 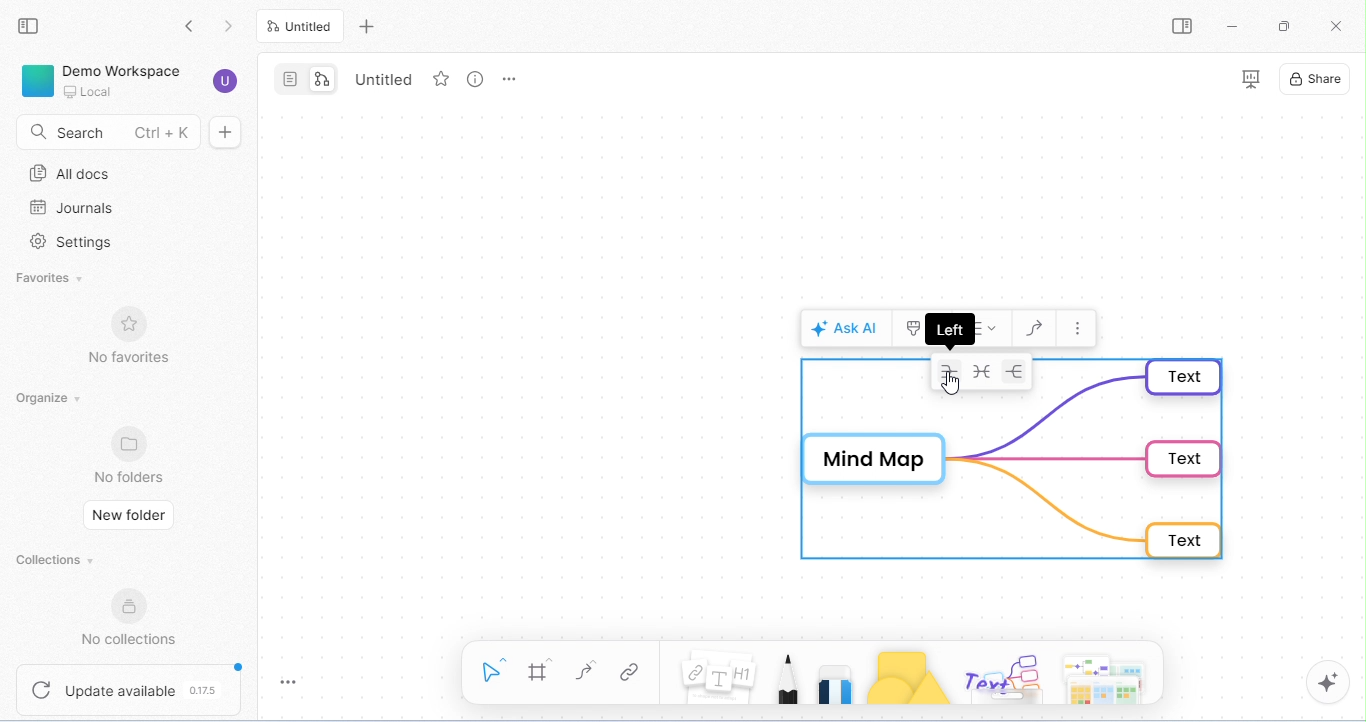 I want to click on edgeless mode, so click(x=322, y=77).